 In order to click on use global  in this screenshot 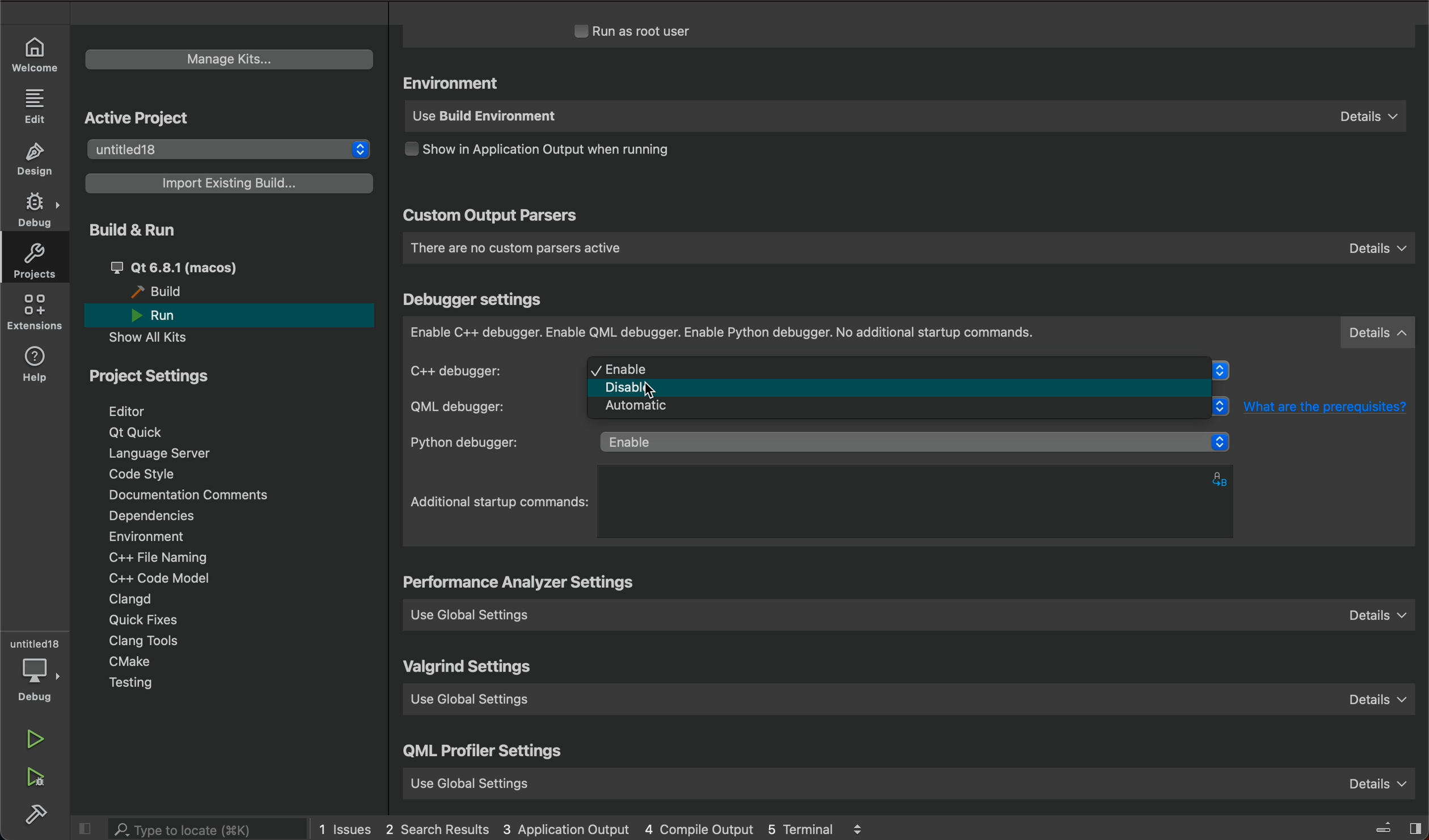, I will do `click(916, 614)`.